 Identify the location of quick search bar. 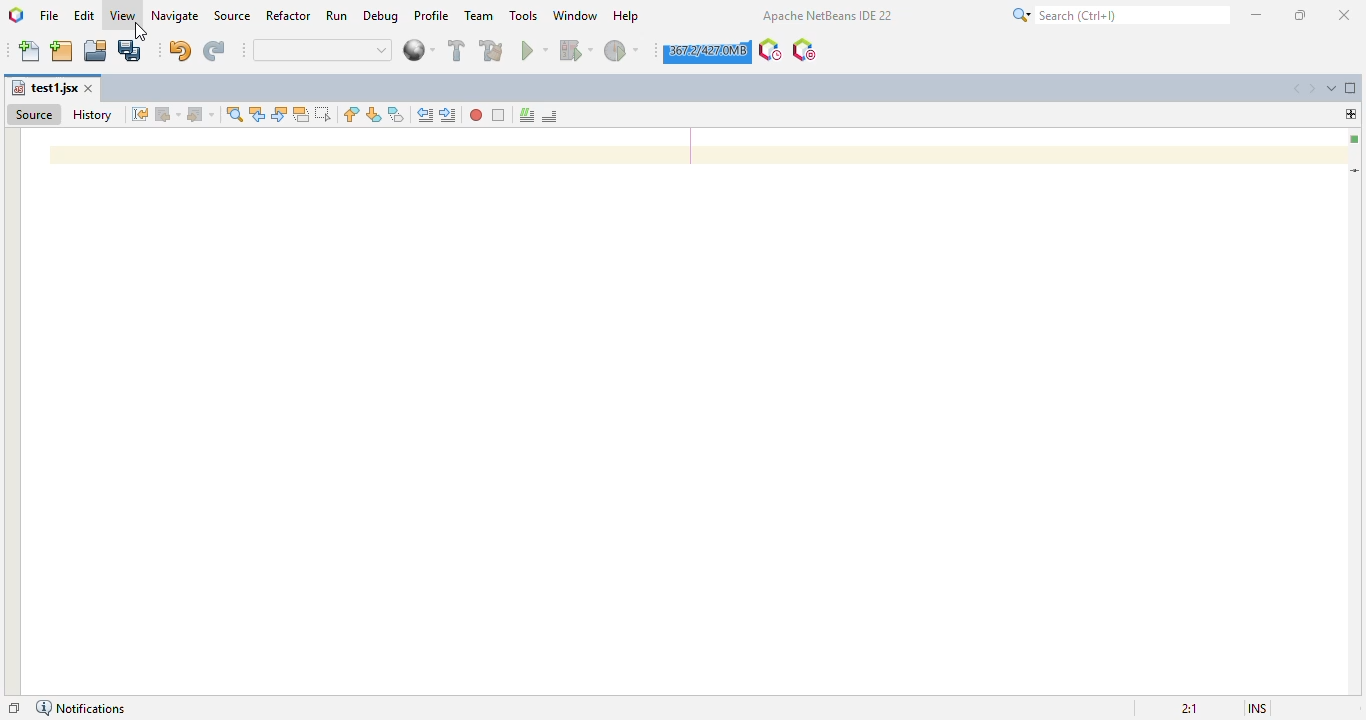
(324, 50).